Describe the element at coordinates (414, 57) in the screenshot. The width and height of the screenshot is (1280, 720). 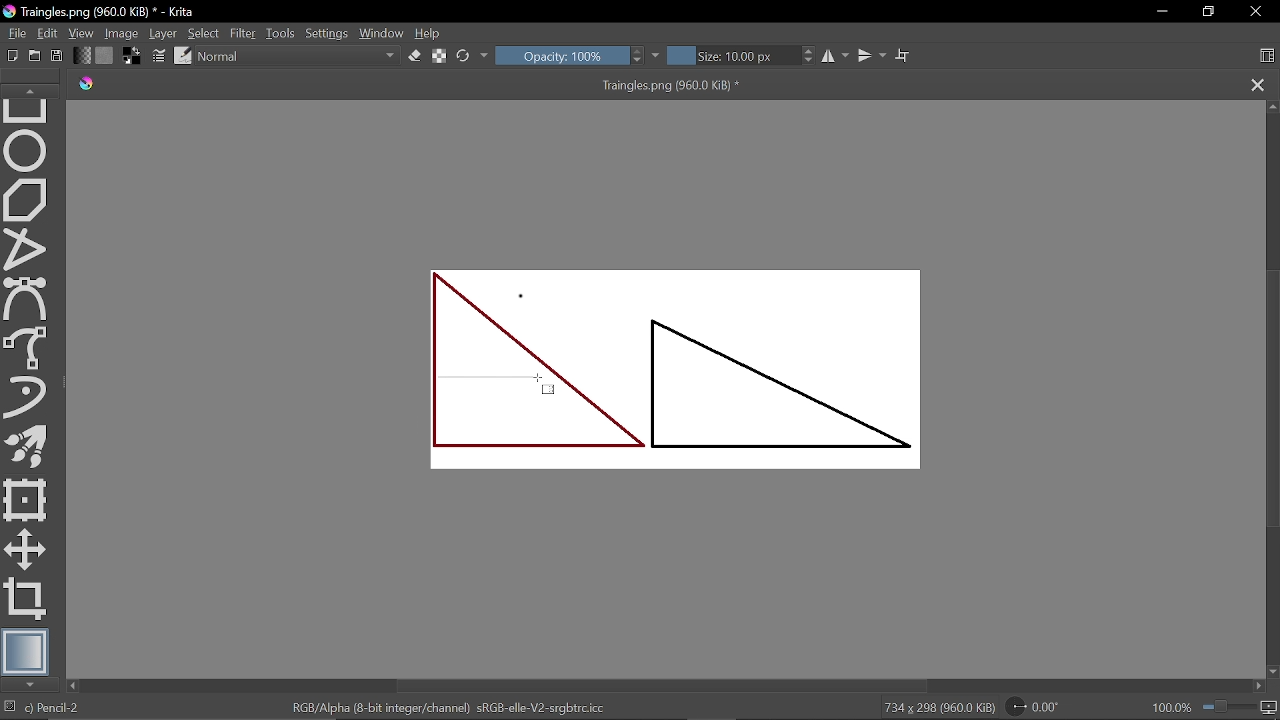
I see `Eraser` at that location.